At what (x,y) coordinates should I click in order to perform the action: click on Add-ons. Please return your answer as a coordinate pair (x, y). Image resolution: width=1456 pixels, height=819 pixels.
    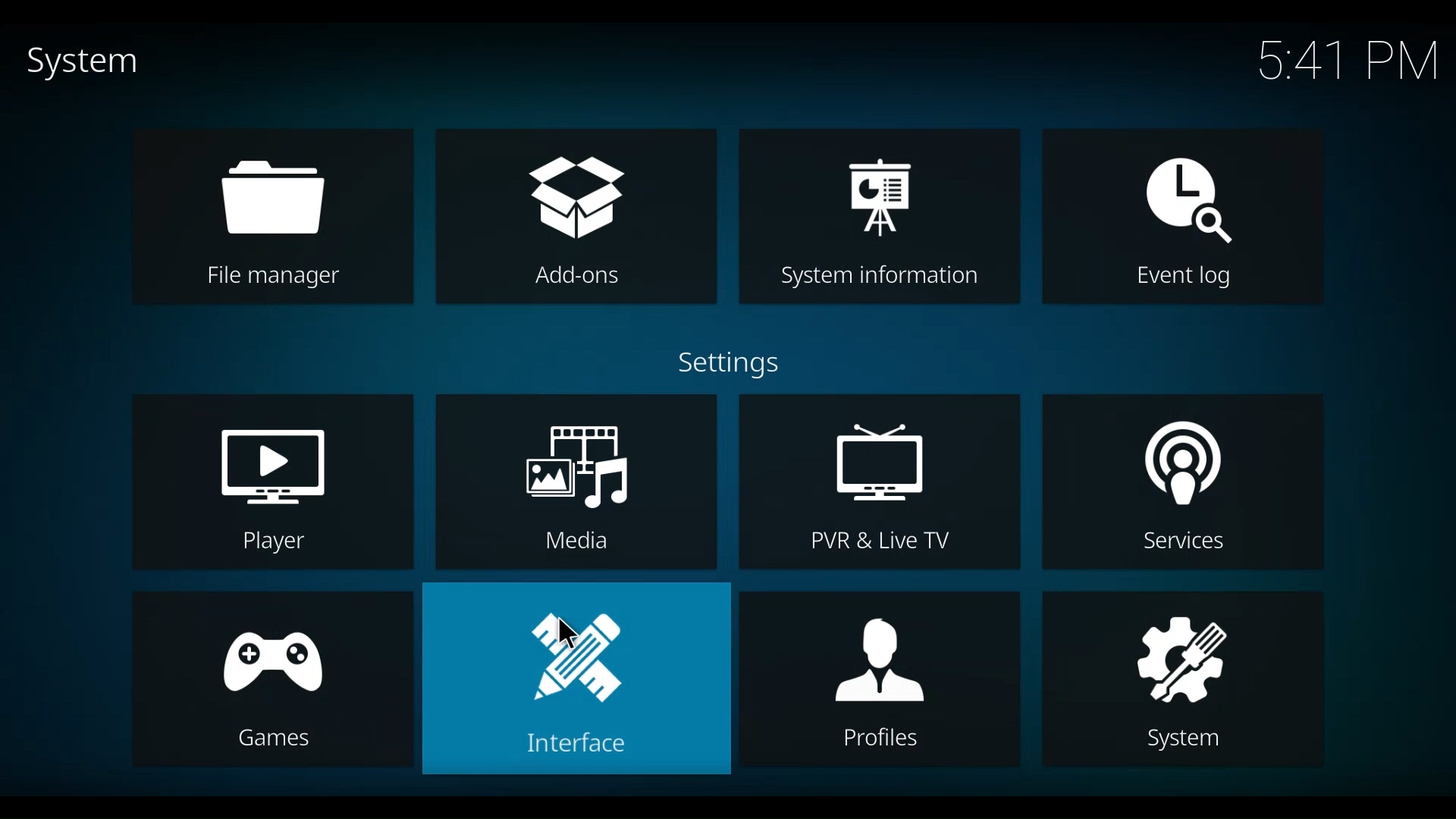
    Looking at the image, I should click on (576, 215).